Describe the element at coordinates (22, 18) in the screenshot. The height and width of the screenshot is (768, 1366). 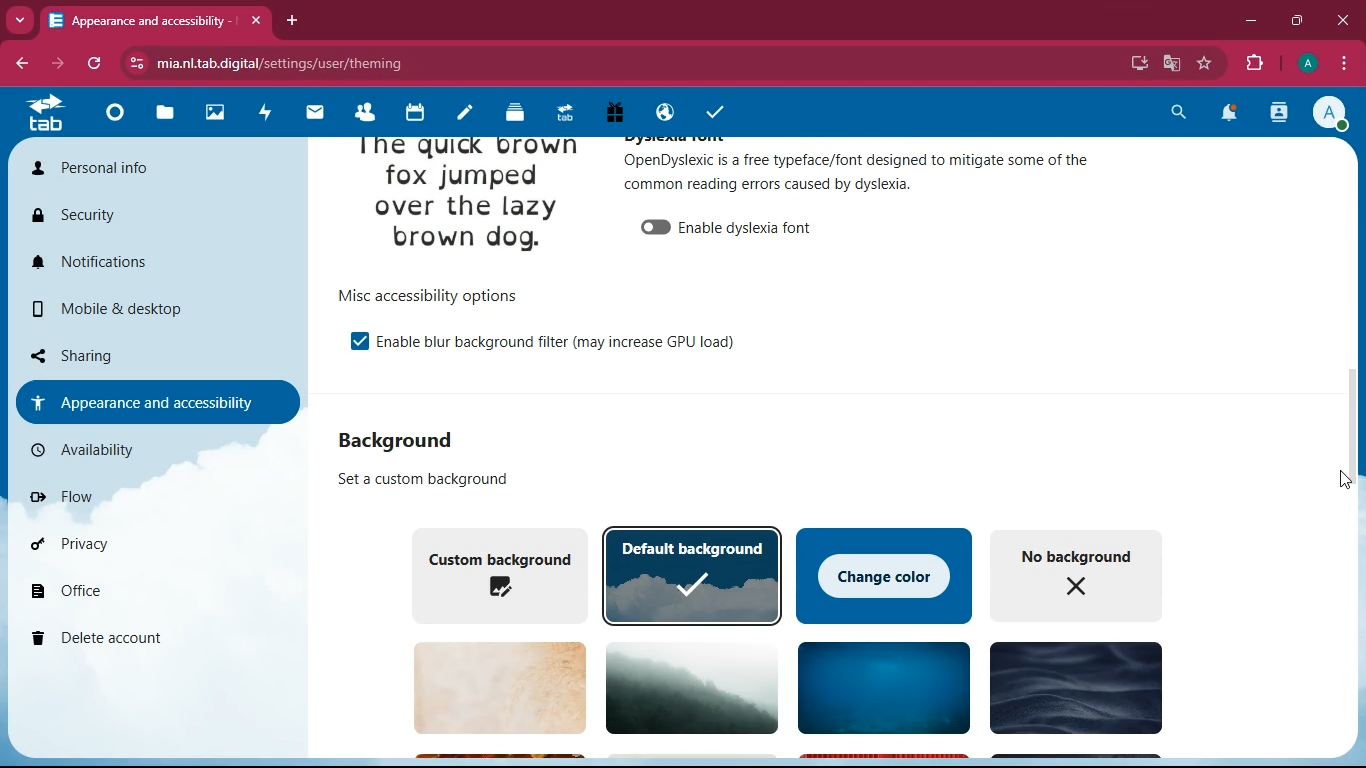
I see `more` at that location.